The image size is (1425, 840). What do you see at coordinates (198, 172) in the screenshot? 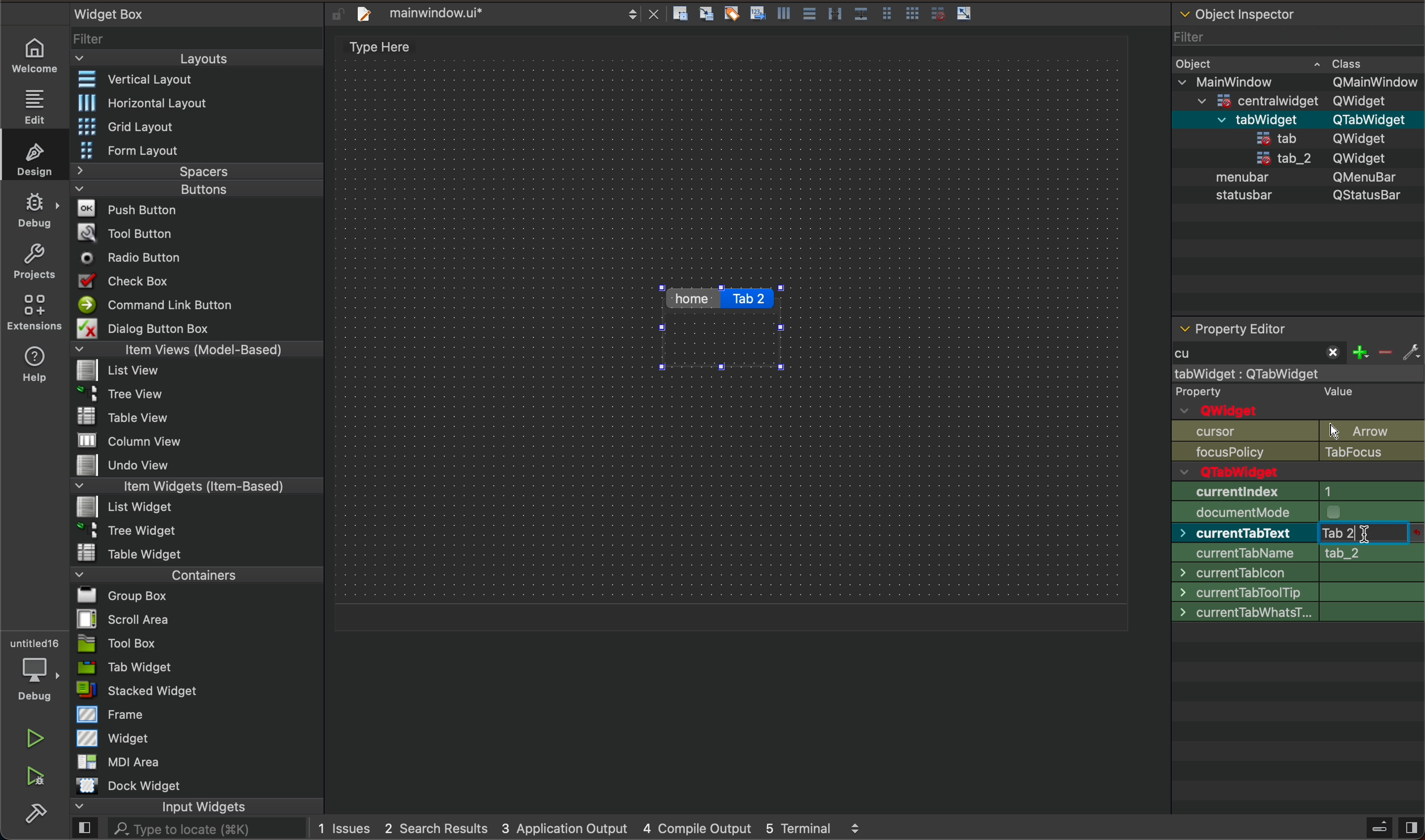
I see `Spacers` at bounding box center [198, 172].